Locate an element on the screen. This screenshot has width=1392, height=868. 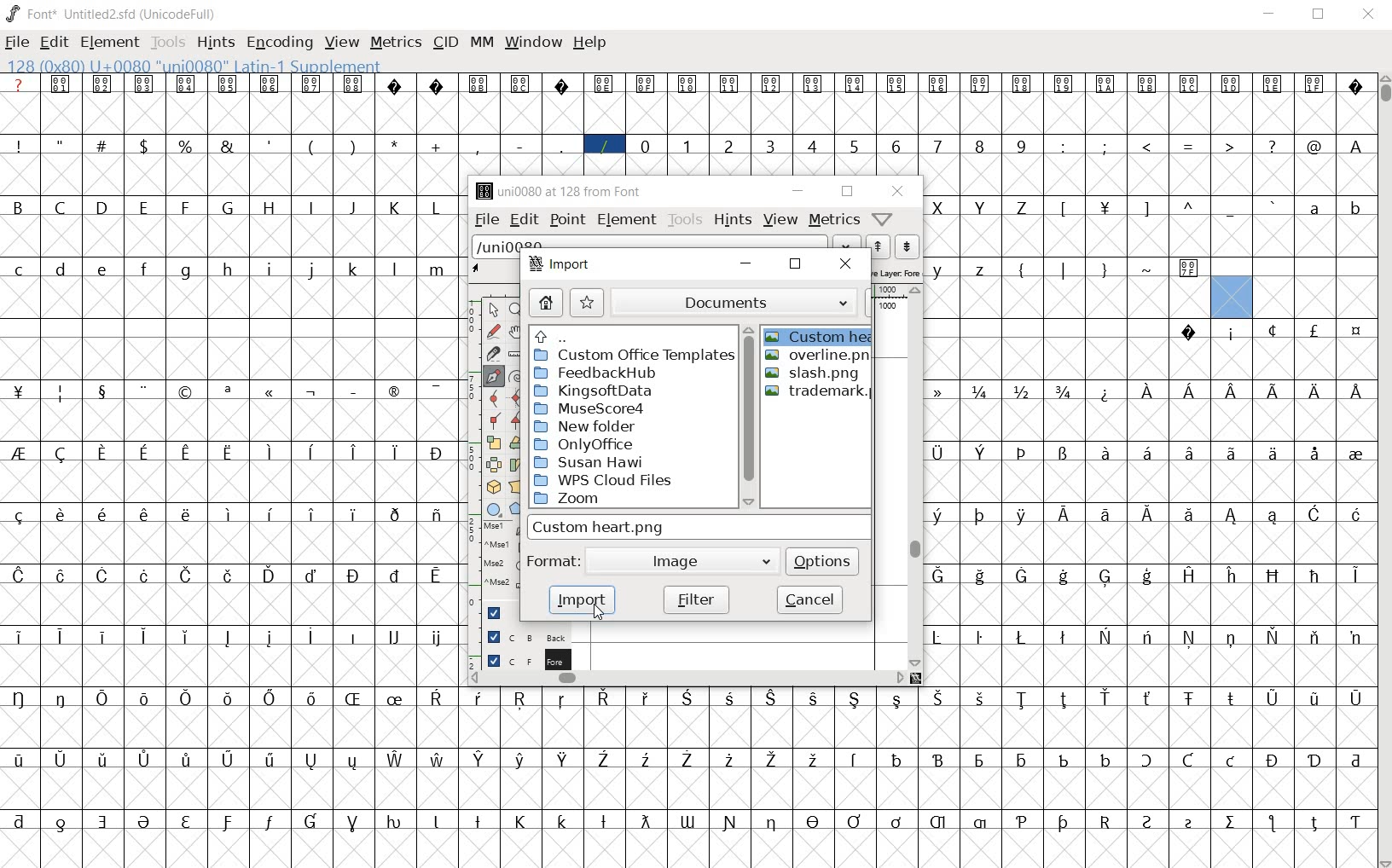
glyph is located at coordinates (647, 761).